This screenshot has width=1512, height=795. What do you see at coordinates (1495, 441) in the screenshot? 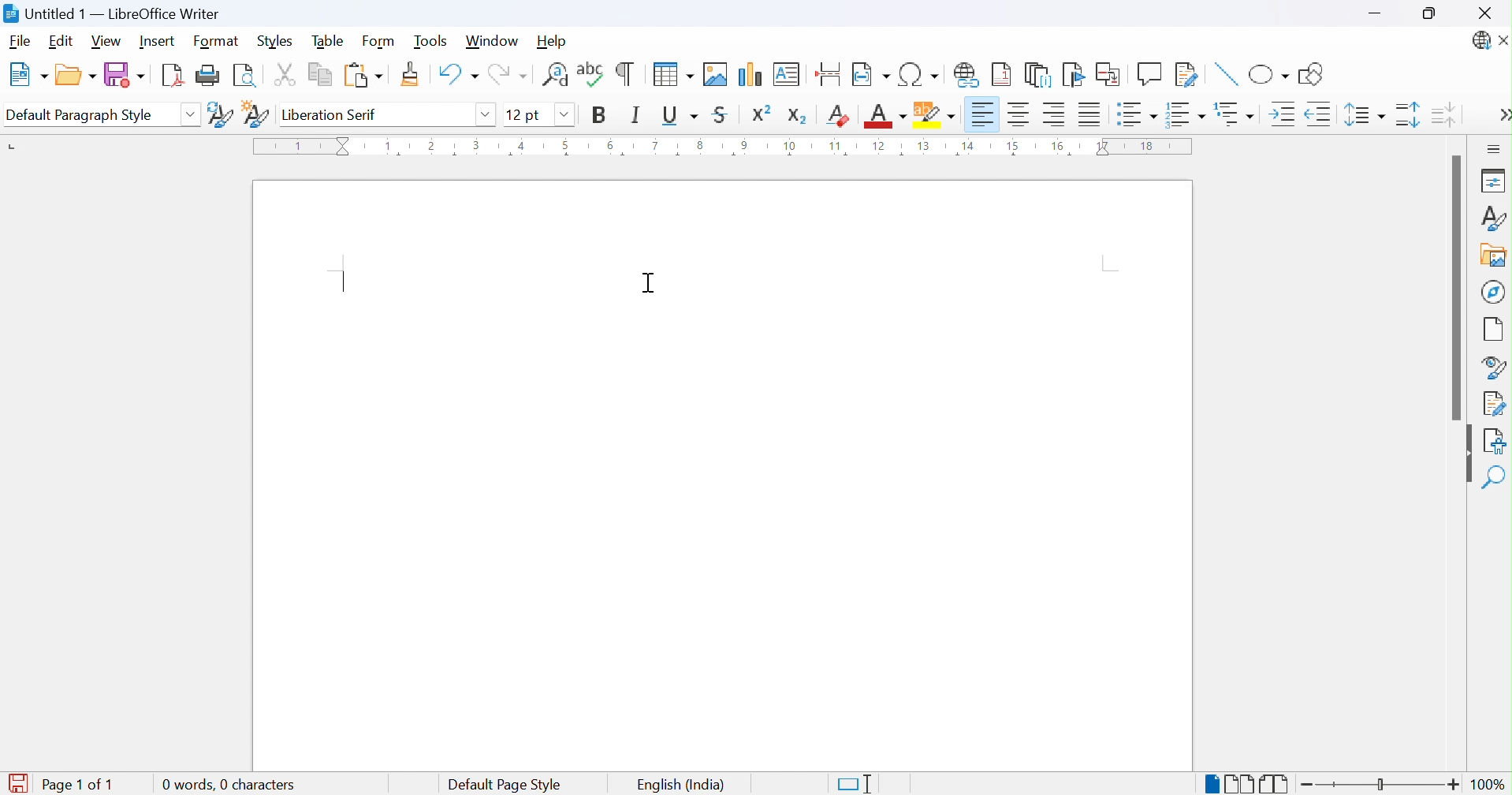
I see `Accessibility check` at bounding box center [1495, 441].